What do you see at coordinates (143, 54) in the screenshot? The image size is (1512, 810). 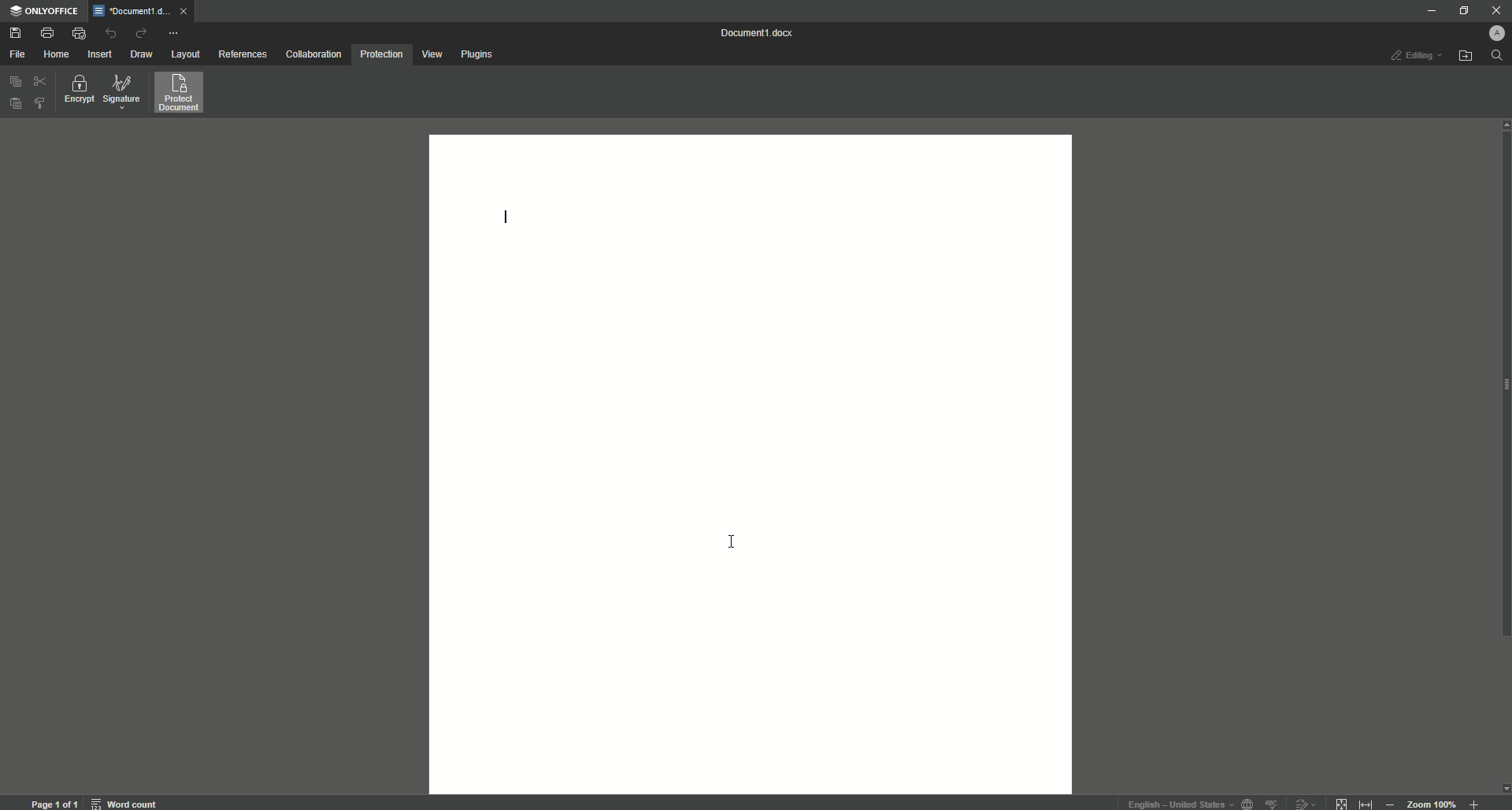 I see `Draw` at bounding box center [143, 54].